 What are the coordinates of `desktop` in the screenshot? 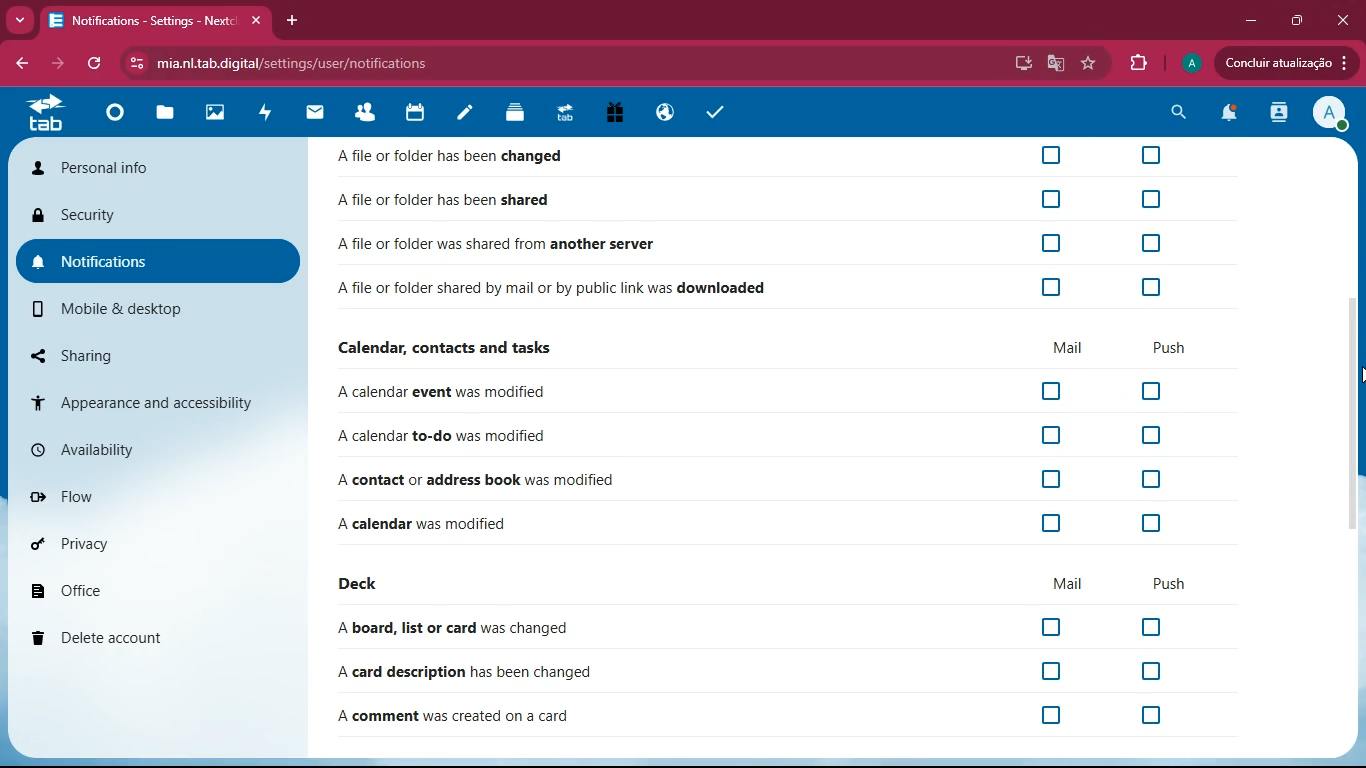 It's located at (1019, 63).